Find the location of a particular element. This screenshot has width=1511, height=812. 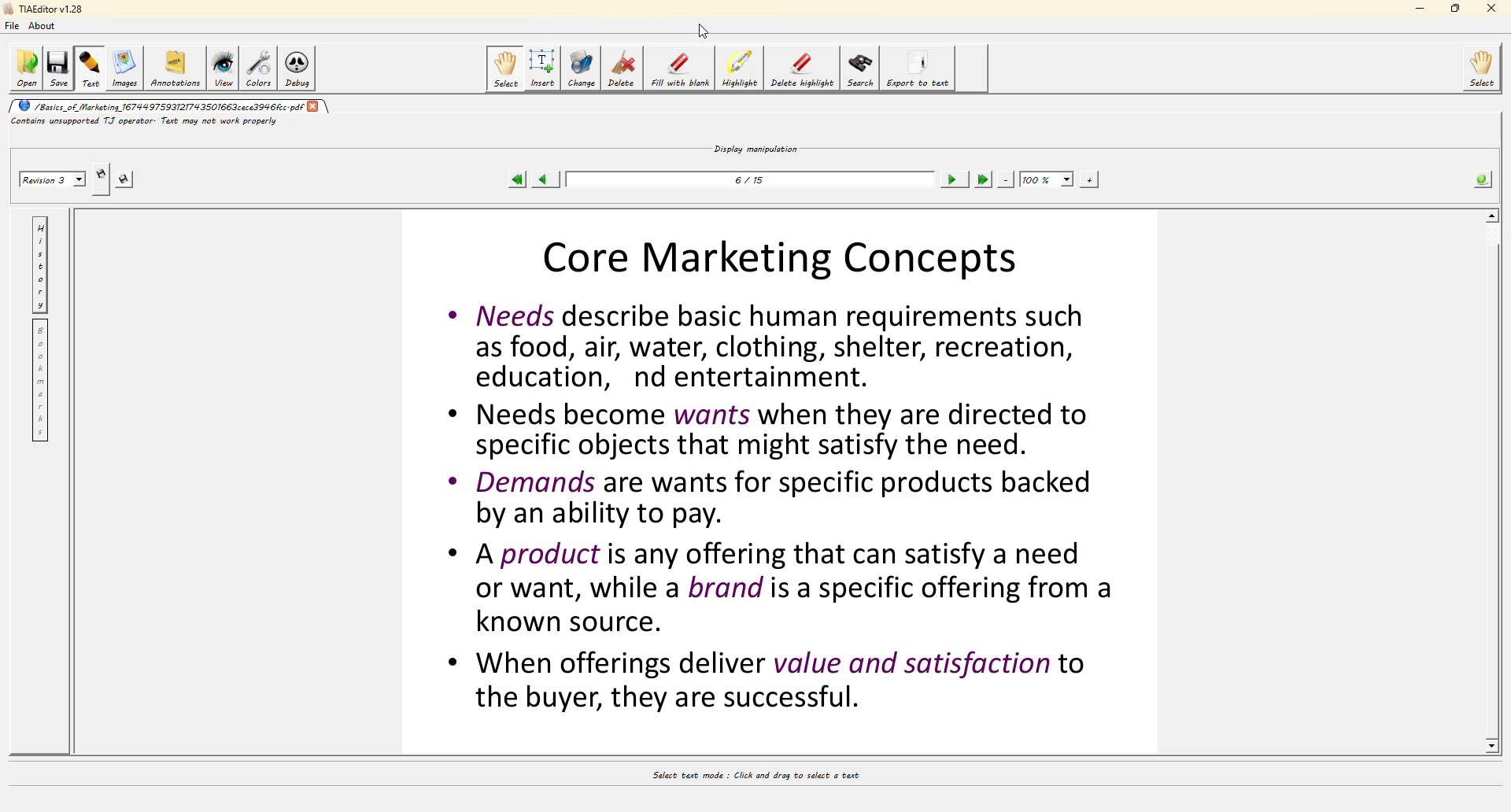

colors is located at coordinates (257, 68).